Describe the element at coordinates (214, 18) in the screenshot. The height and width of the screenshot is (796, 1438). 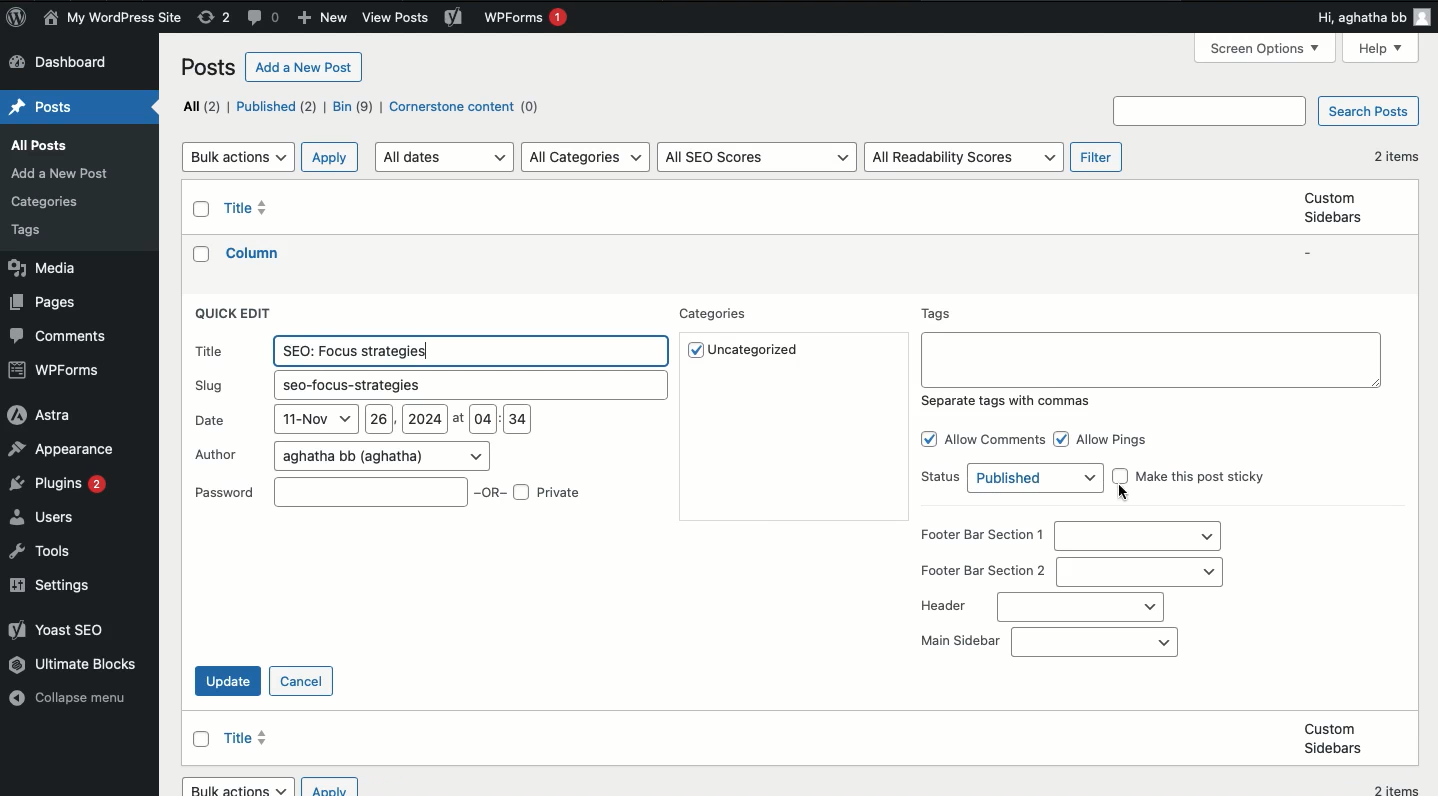
I see `Revisions` at that location.